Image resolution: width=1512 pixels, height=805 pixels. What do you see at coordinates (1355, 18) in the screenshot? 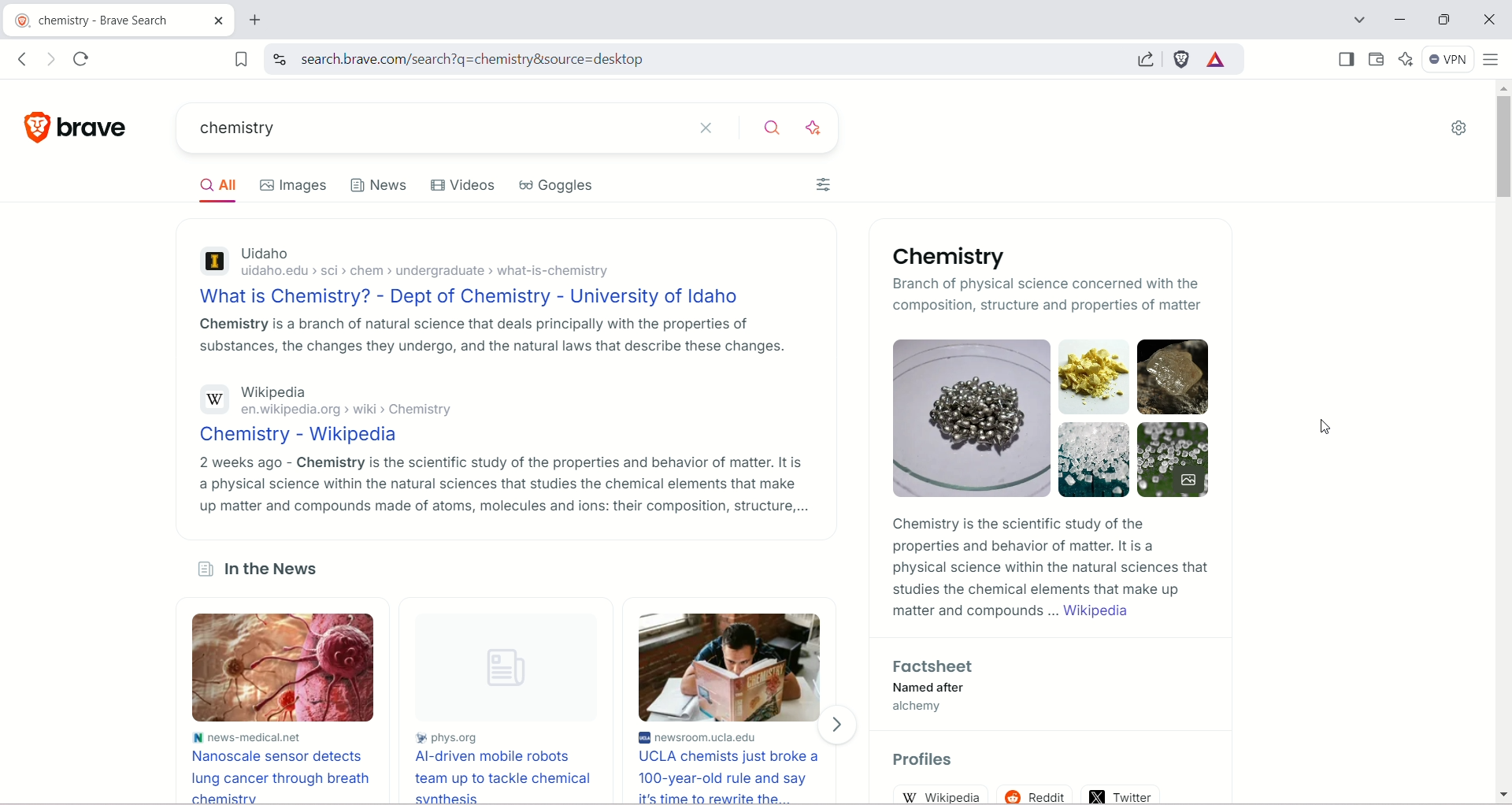
I see `SEARCH TABS` at bounding box center [1355, 18].